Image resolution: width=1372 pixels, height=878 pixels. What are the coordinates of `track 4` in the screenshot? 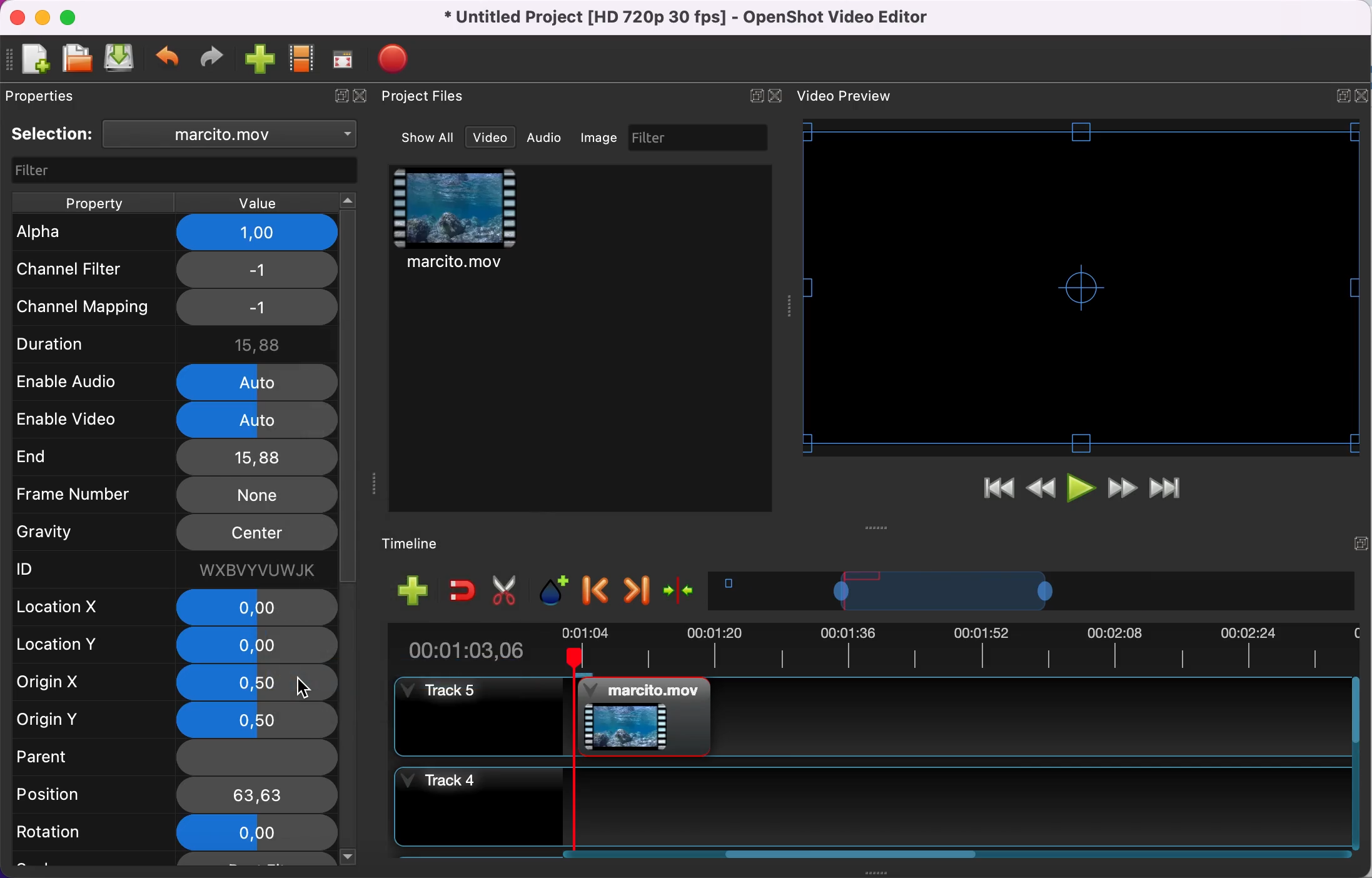 It's located at (869, 807).